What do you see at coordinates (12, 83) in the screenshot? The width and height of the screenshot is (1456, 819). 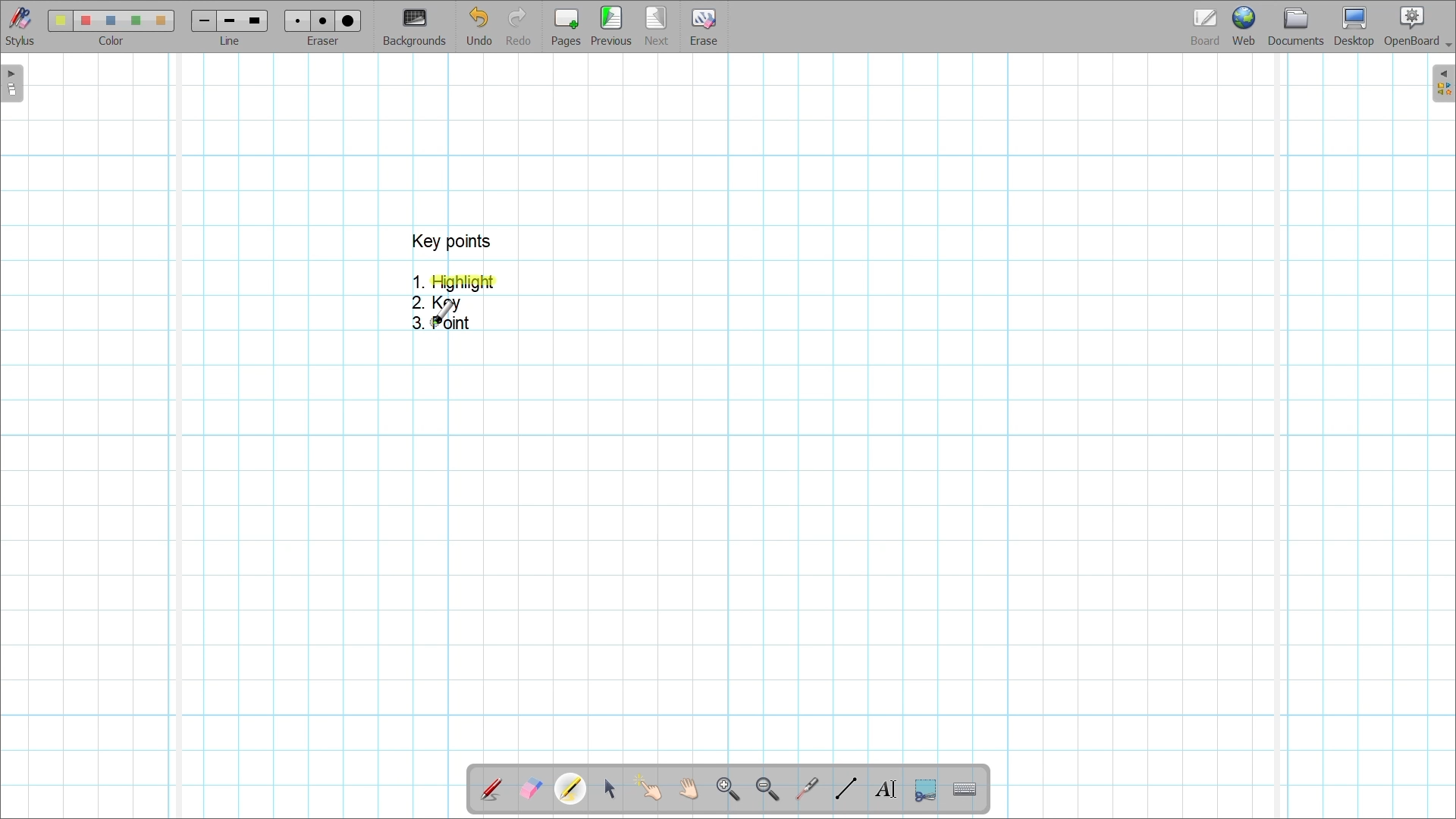 I see `Left sidebar` at bounding box center [12, 83].